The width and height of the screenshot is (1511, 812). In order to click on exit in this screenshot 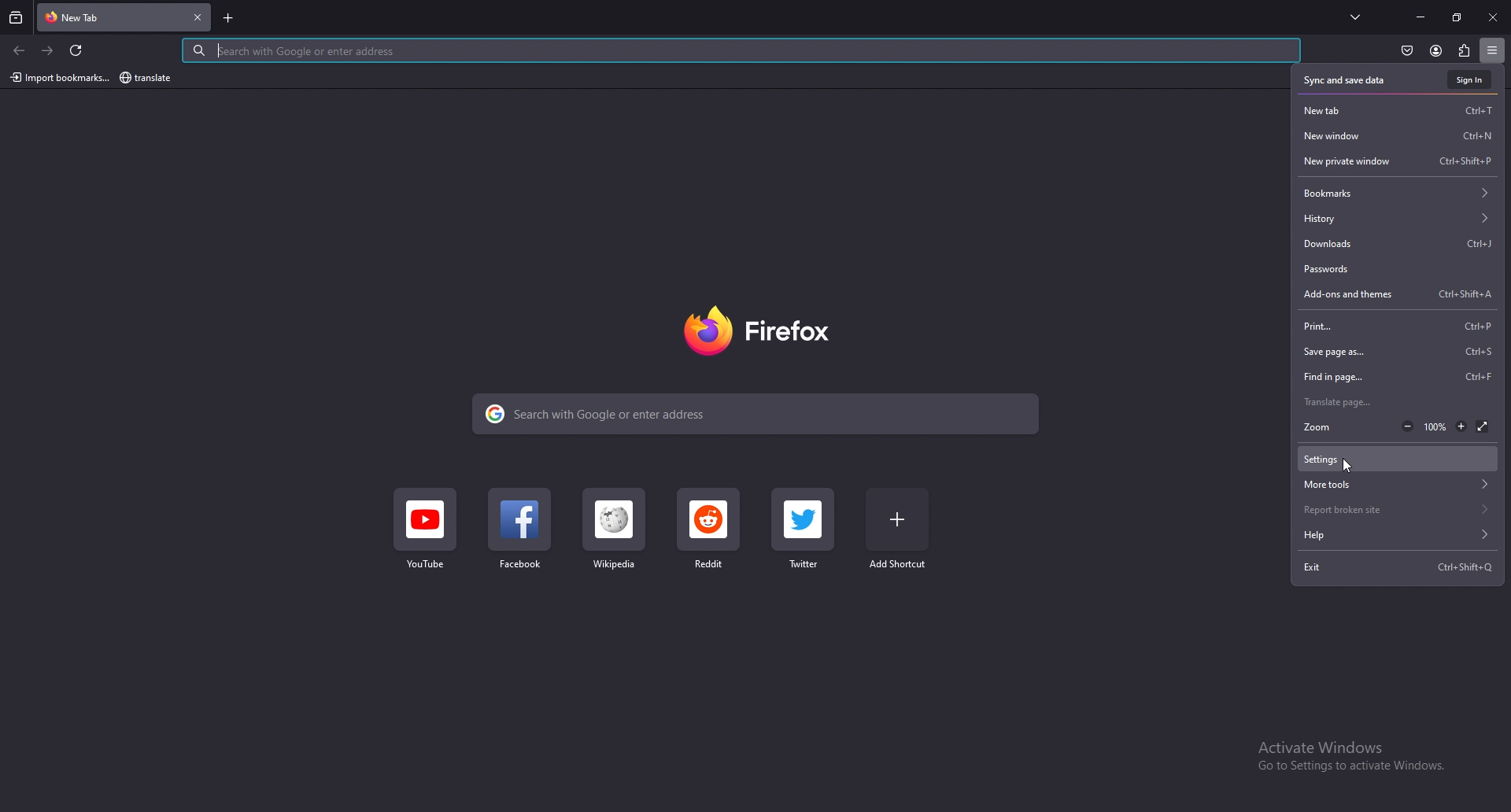, I will do `click(1397, 567)`.